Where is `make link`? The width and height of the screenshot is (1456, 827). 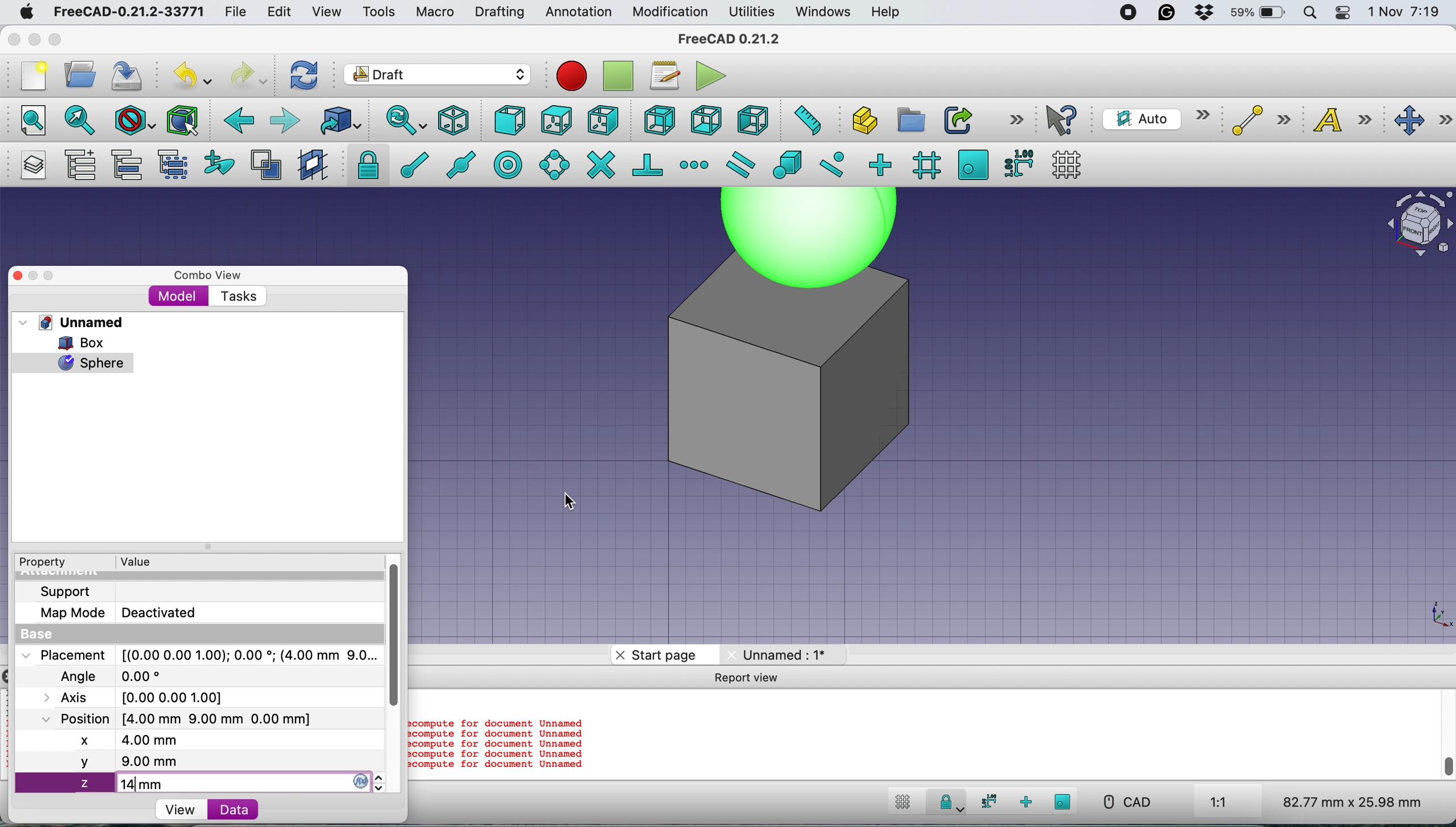 make link is located at coordinates (958, 119).